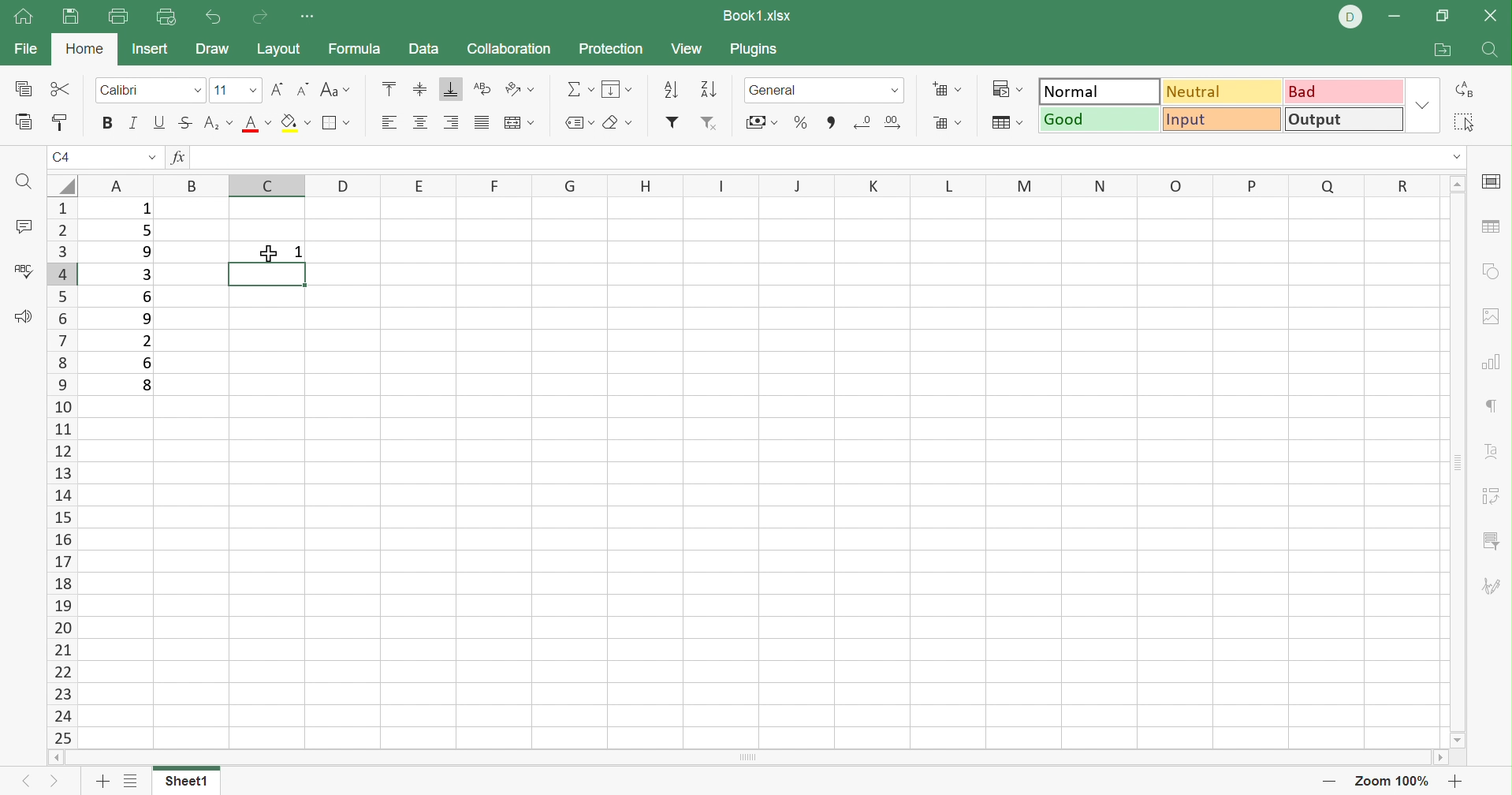 This screenshot has height=795, width=1512. I want to click on Column names, so click(759, 185).